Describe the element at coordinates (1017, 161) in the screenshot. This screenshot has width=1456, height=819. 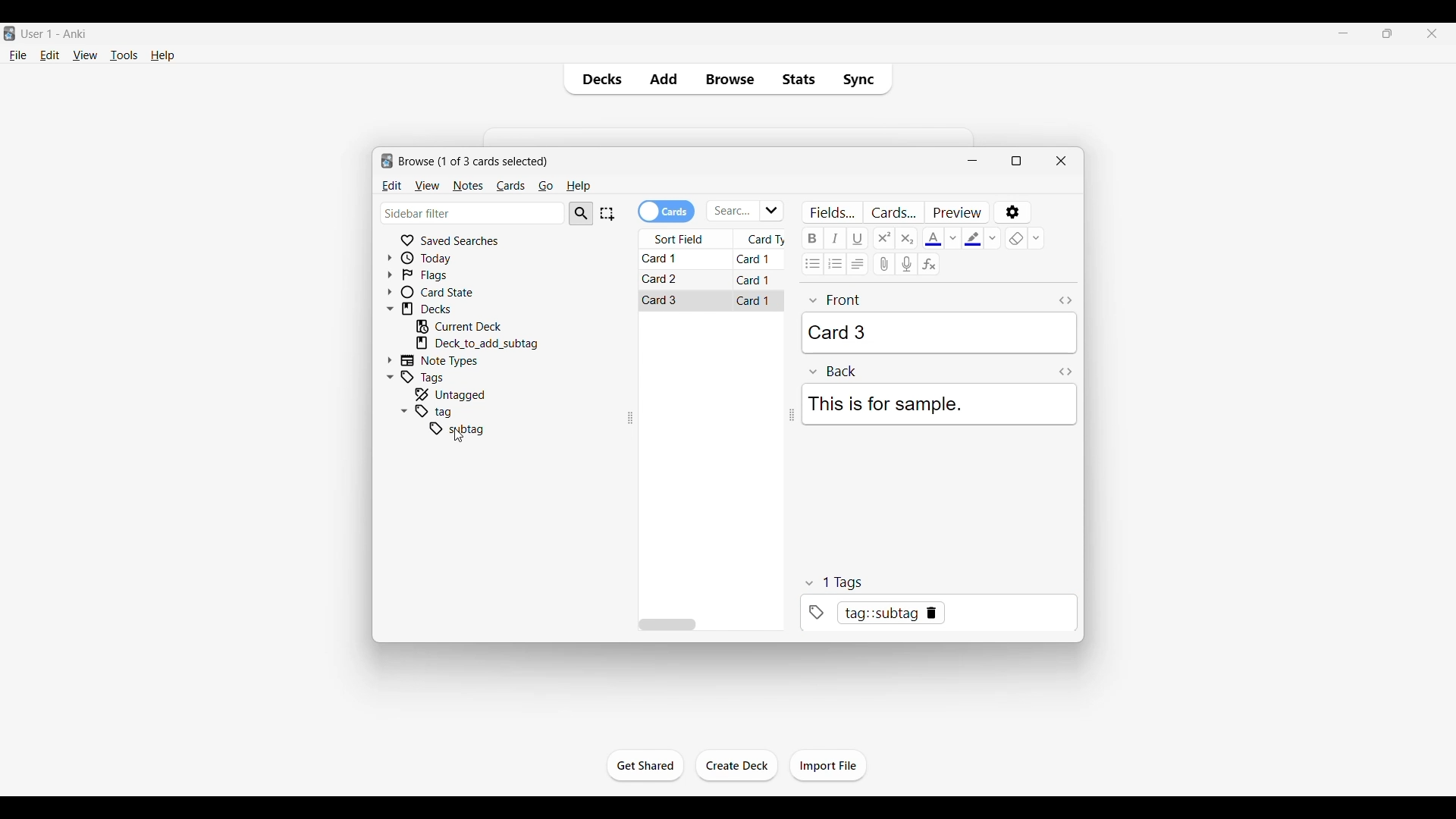
I see `Show window in` at that location.